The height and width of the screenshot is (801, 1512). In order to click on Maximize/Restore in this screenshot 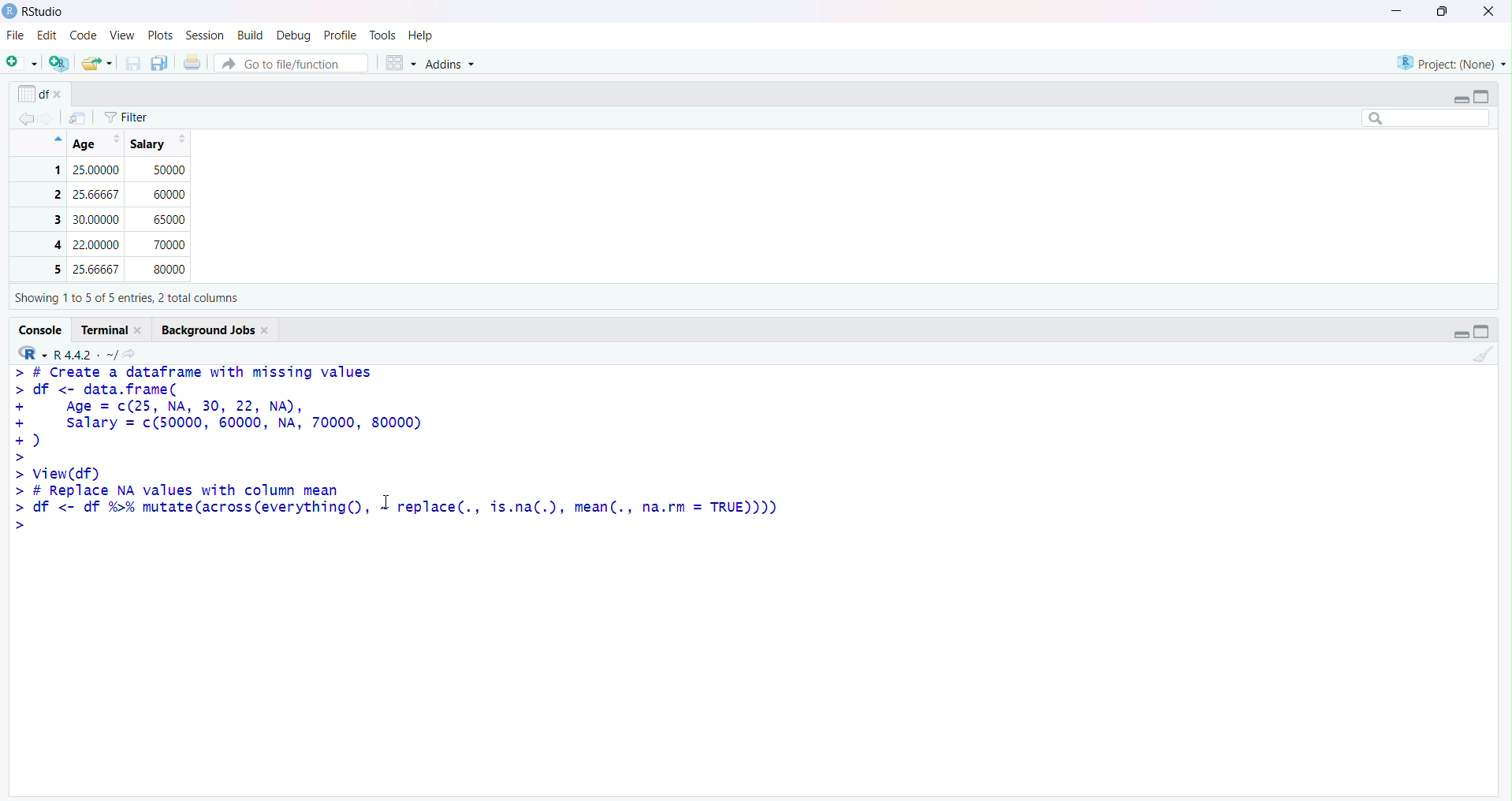, I will do `click(1483, 331)`.